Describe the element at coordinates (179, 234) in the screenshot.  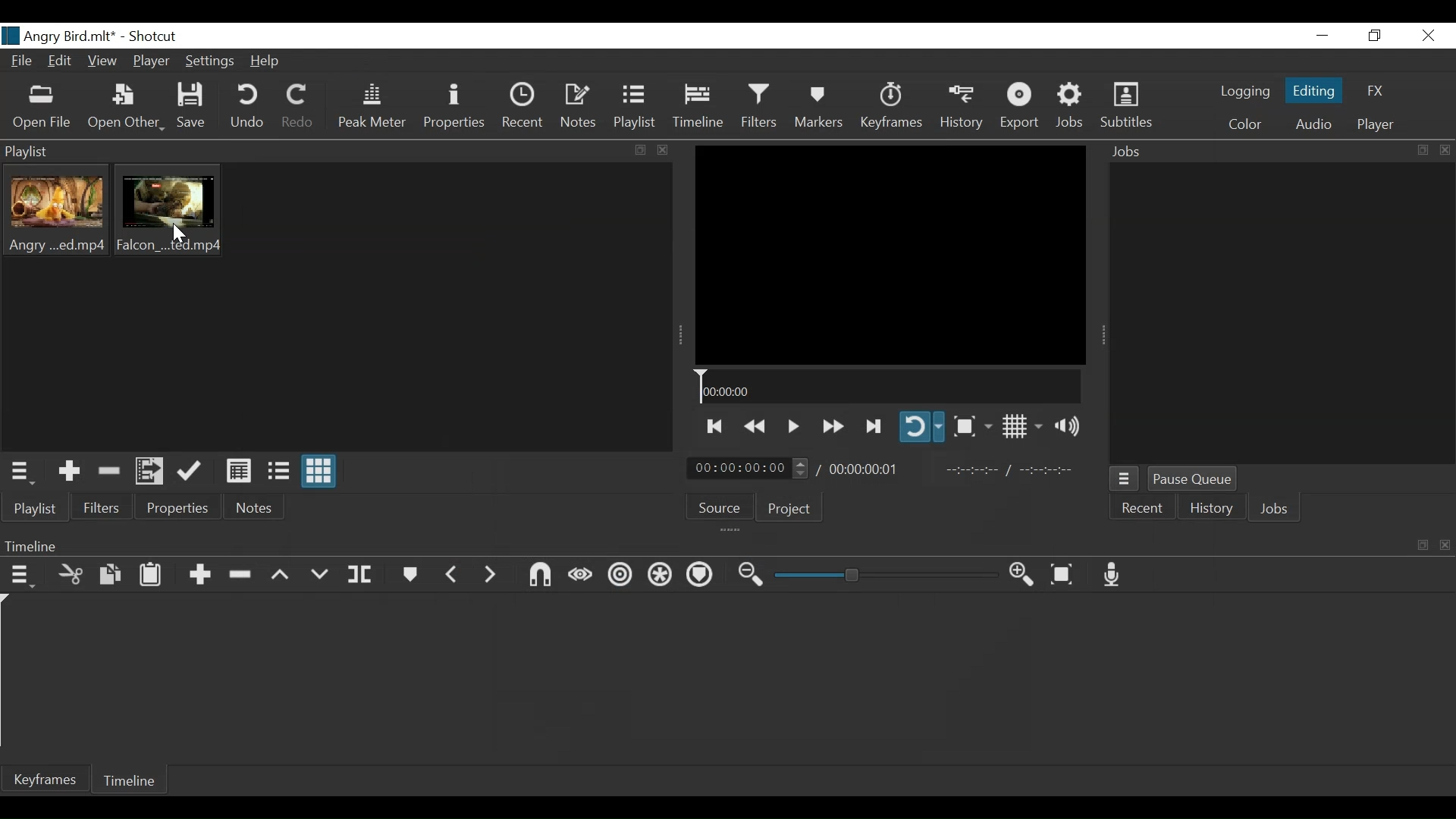
I see `Cursor` at that location.